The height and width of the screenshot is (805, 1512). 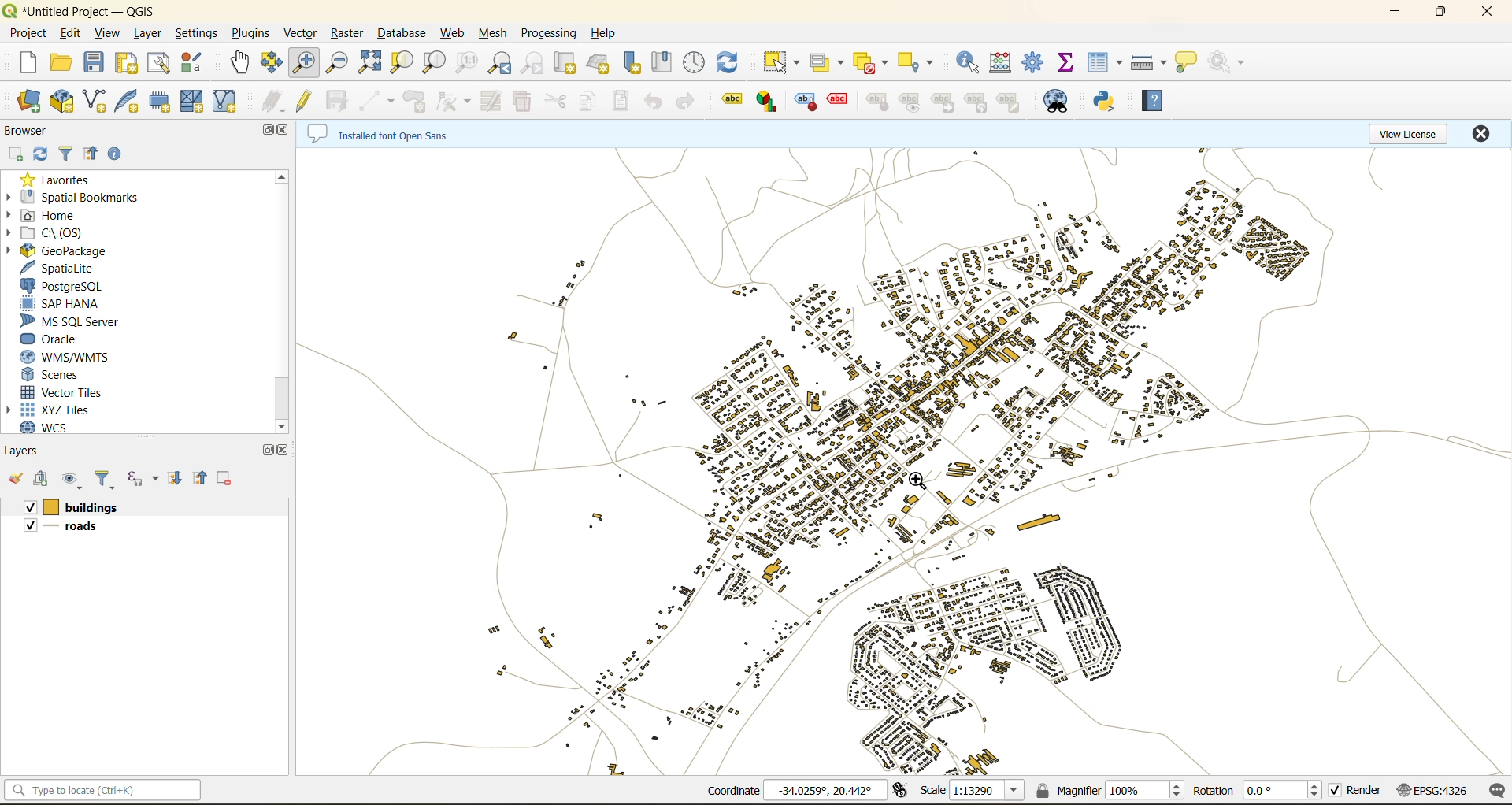 What do you see at coordinates (902, 455) in the screenshot?
I see `layers` at bounding box center [902, 455].